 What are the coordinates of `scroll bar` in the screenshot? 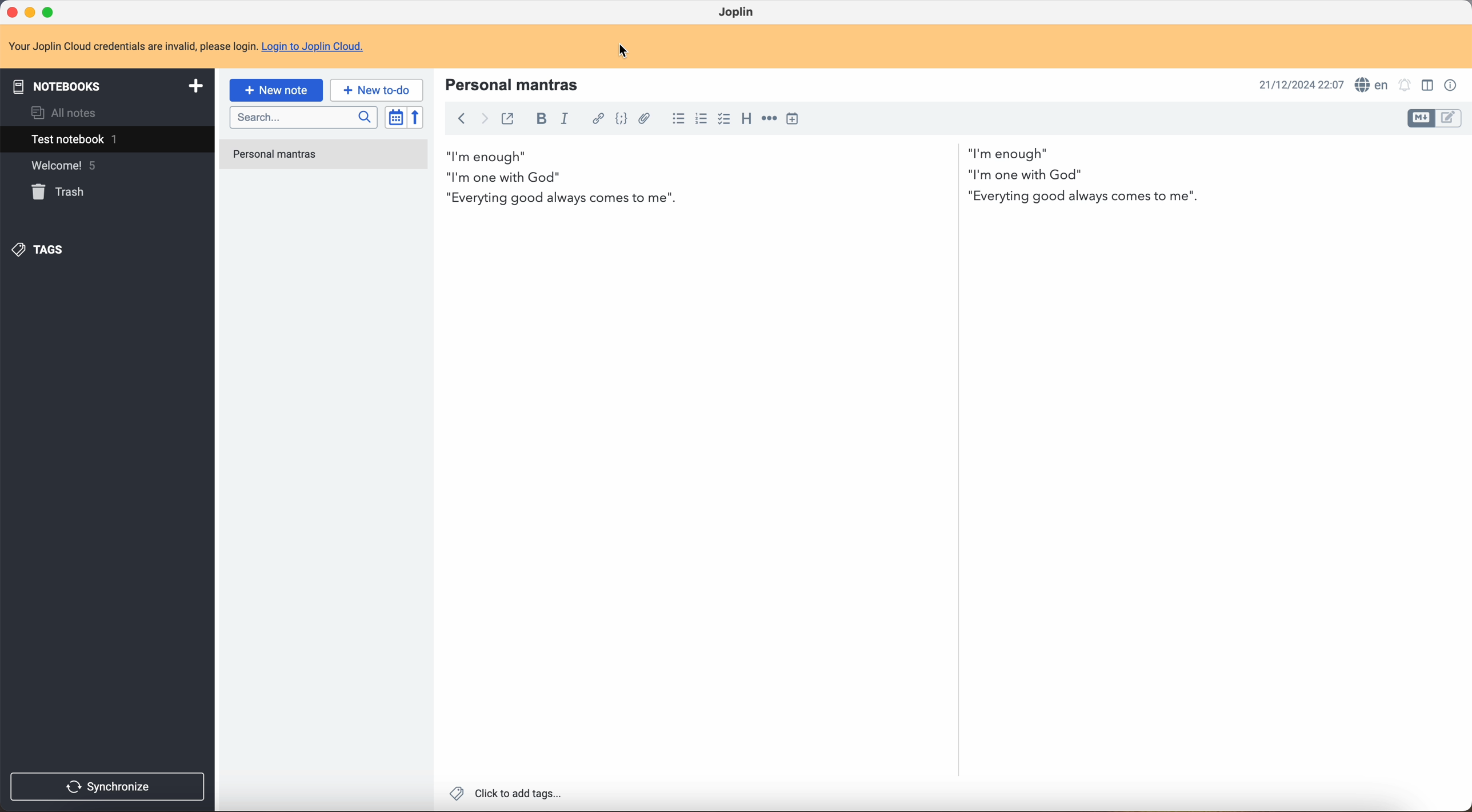 It's located at (956, 228).